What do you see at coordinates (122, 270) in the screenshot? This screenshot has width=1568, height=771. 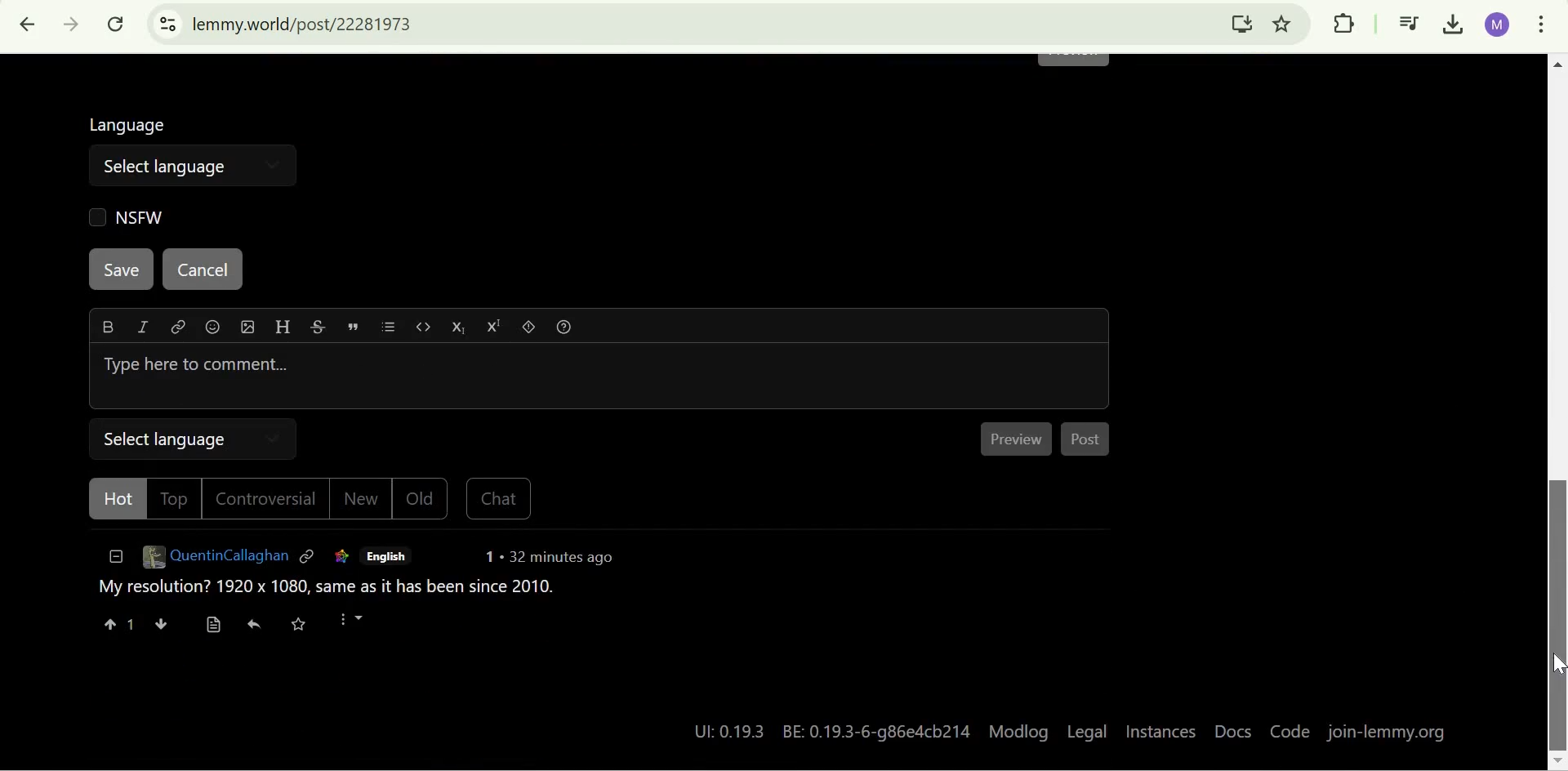 I see `Save` at bounding box center [122, 270].